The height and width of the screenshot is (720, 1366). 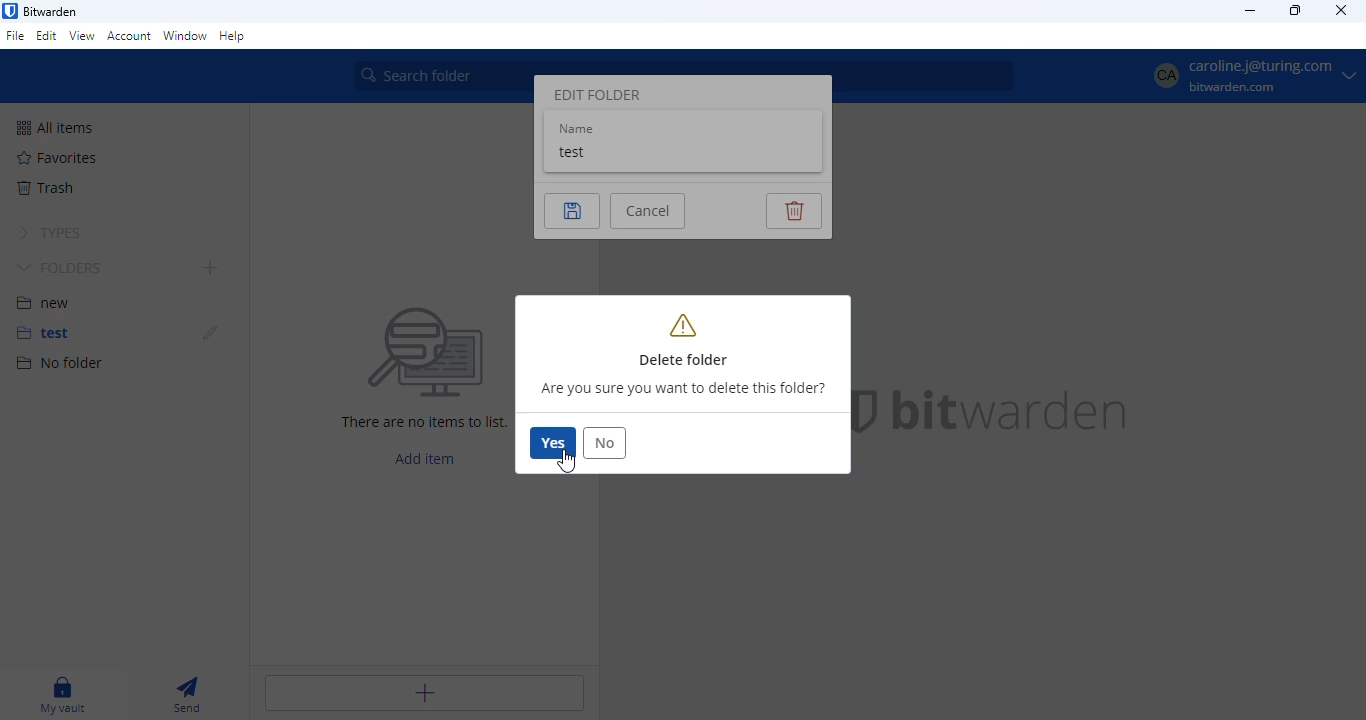 What do you see at coordinates (47, 37) in the screenshot?
I see `edit` at bounding box center [47, 37].